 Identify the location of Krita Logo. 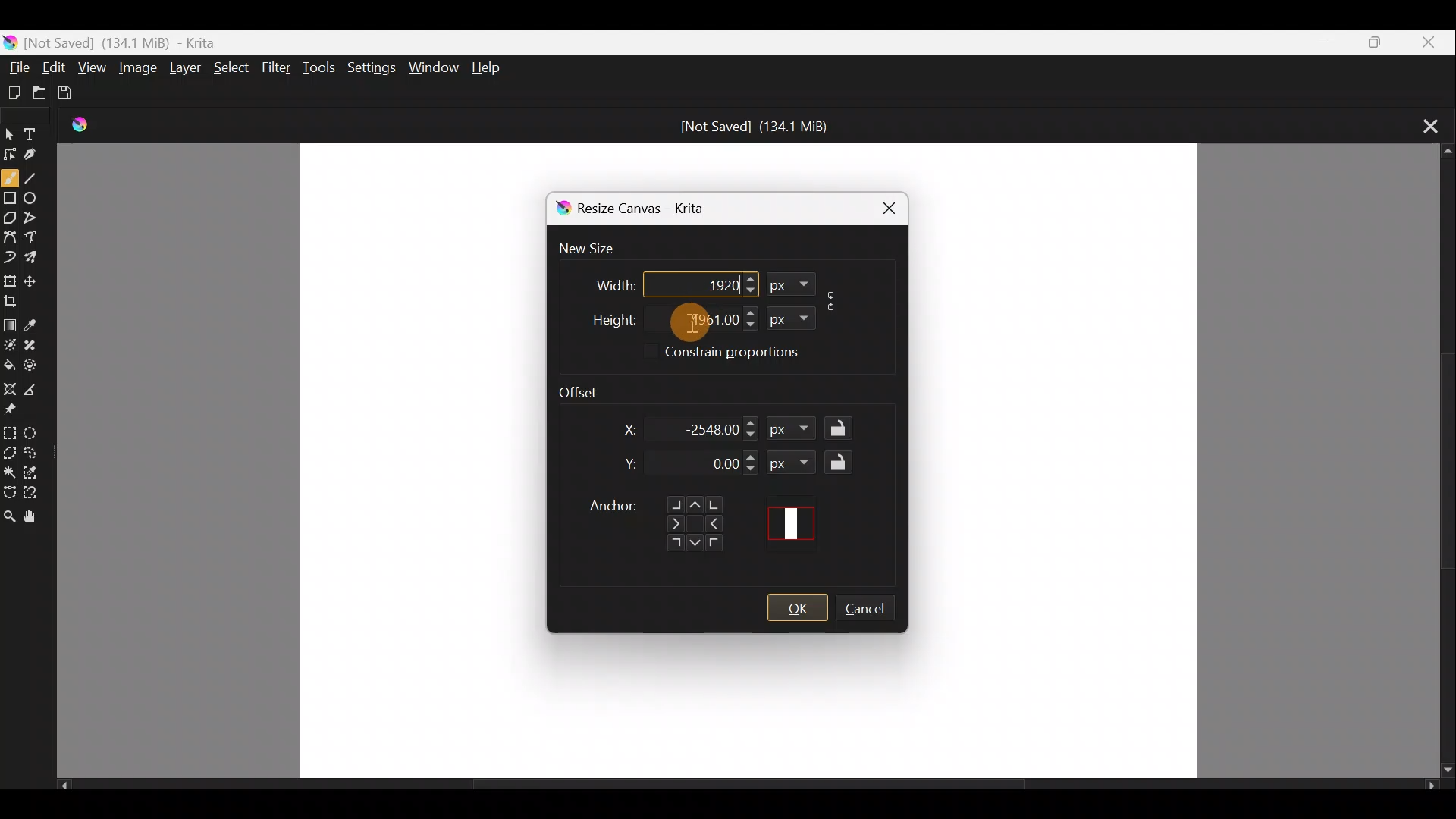
(86, 124).